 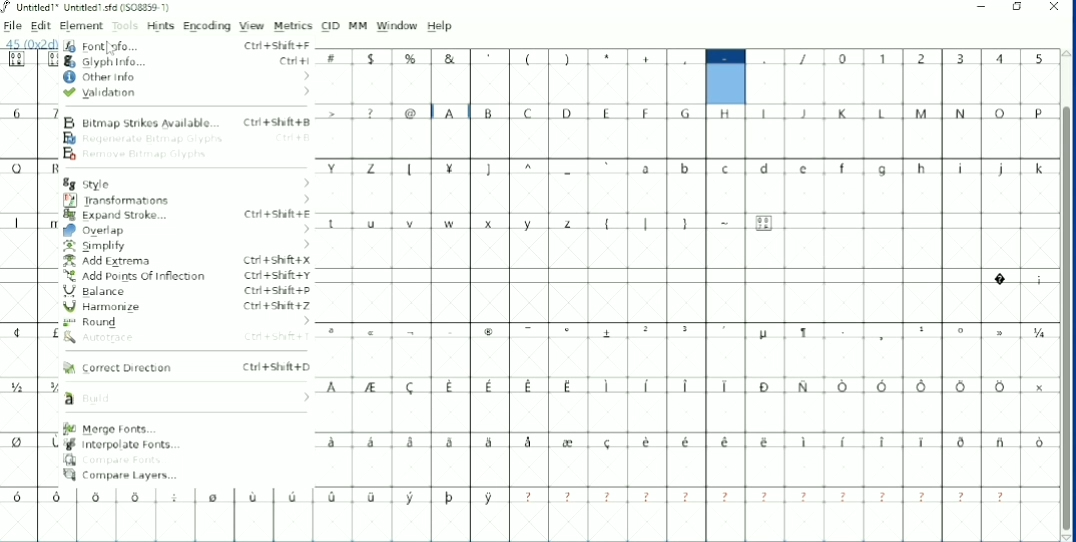 I want to click on Metrics, so click(x=292, y=26).